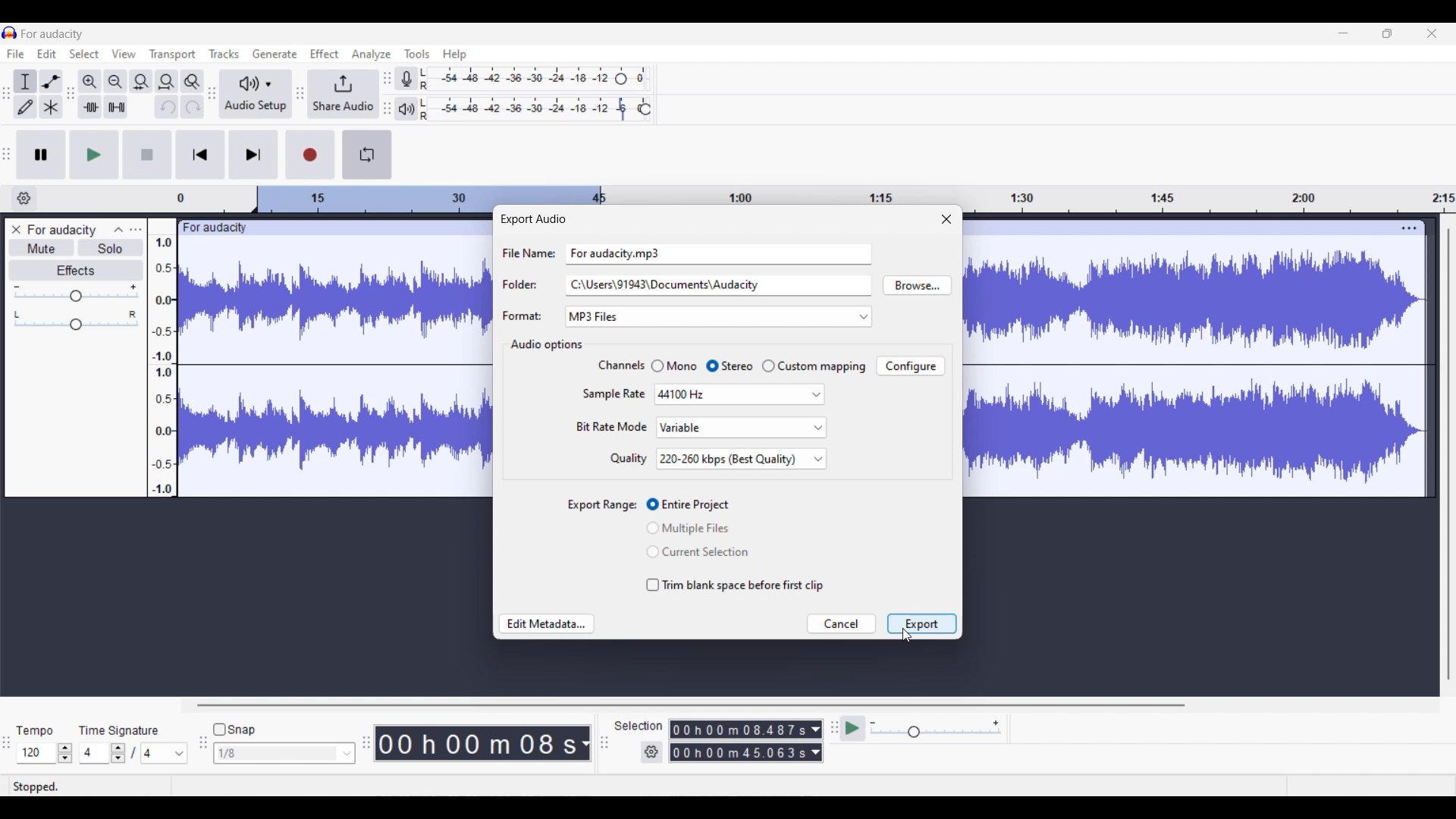 The width and height of the screenshot is (1456, 819). I want to click on Vertical slide bar, so click(1449, 454).